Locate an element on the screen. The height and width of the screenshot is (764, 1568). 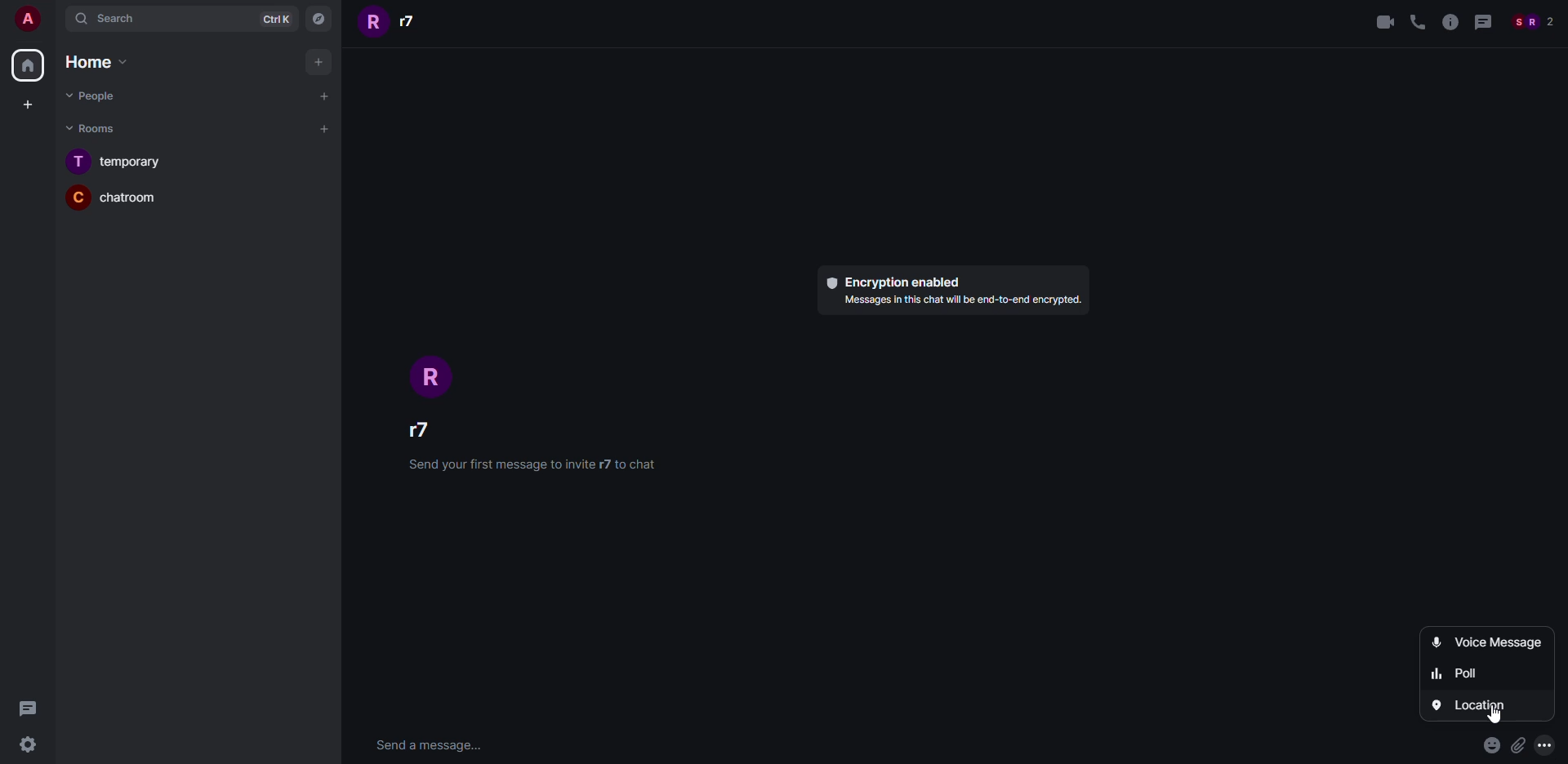
Create a space is located at coordinates (30, 106).